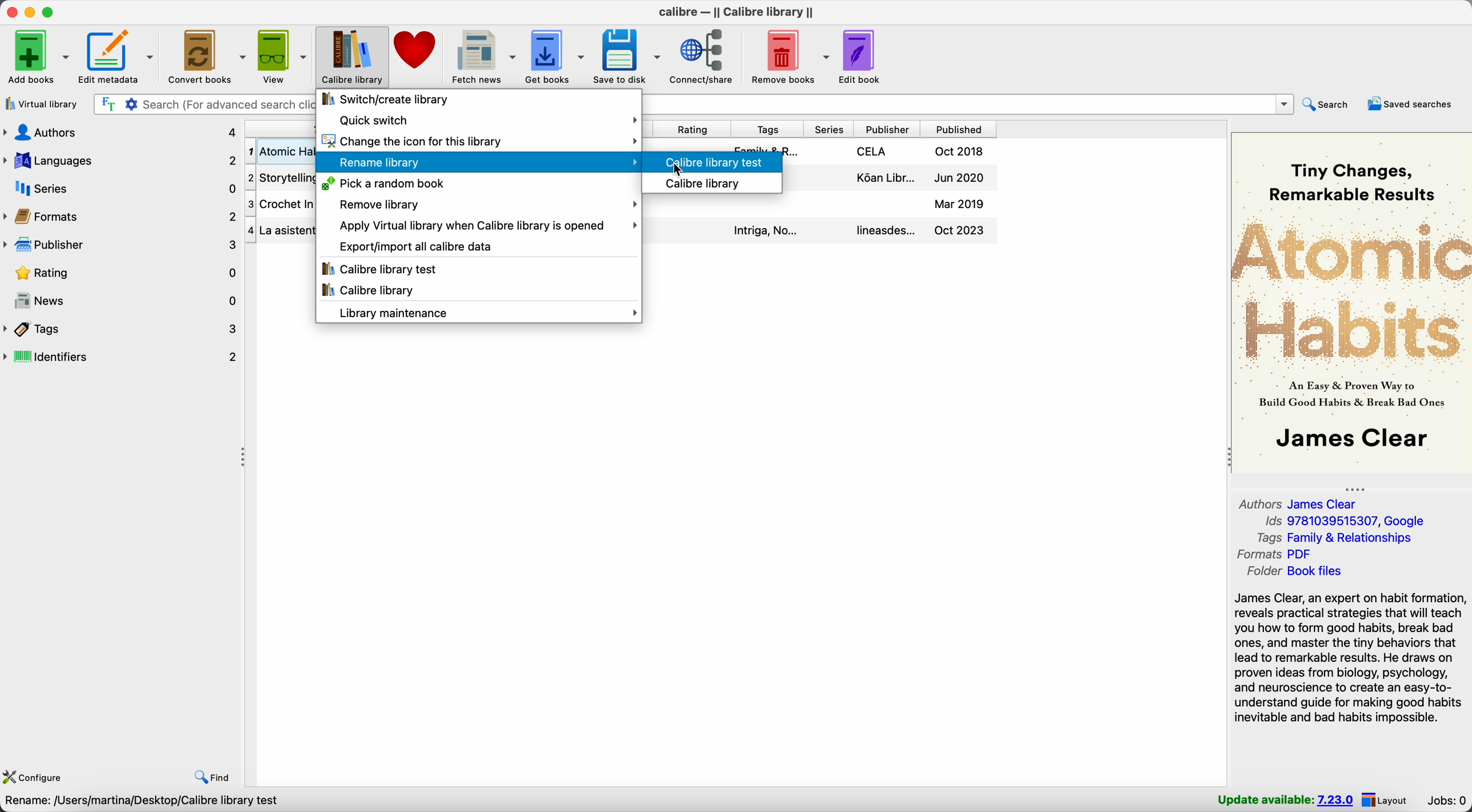 This screenshot has height=812, width=1472. What do you see at coordinates (486, 120) in the screenshot?
I see `quick switch` at bounding box center [486, 120].